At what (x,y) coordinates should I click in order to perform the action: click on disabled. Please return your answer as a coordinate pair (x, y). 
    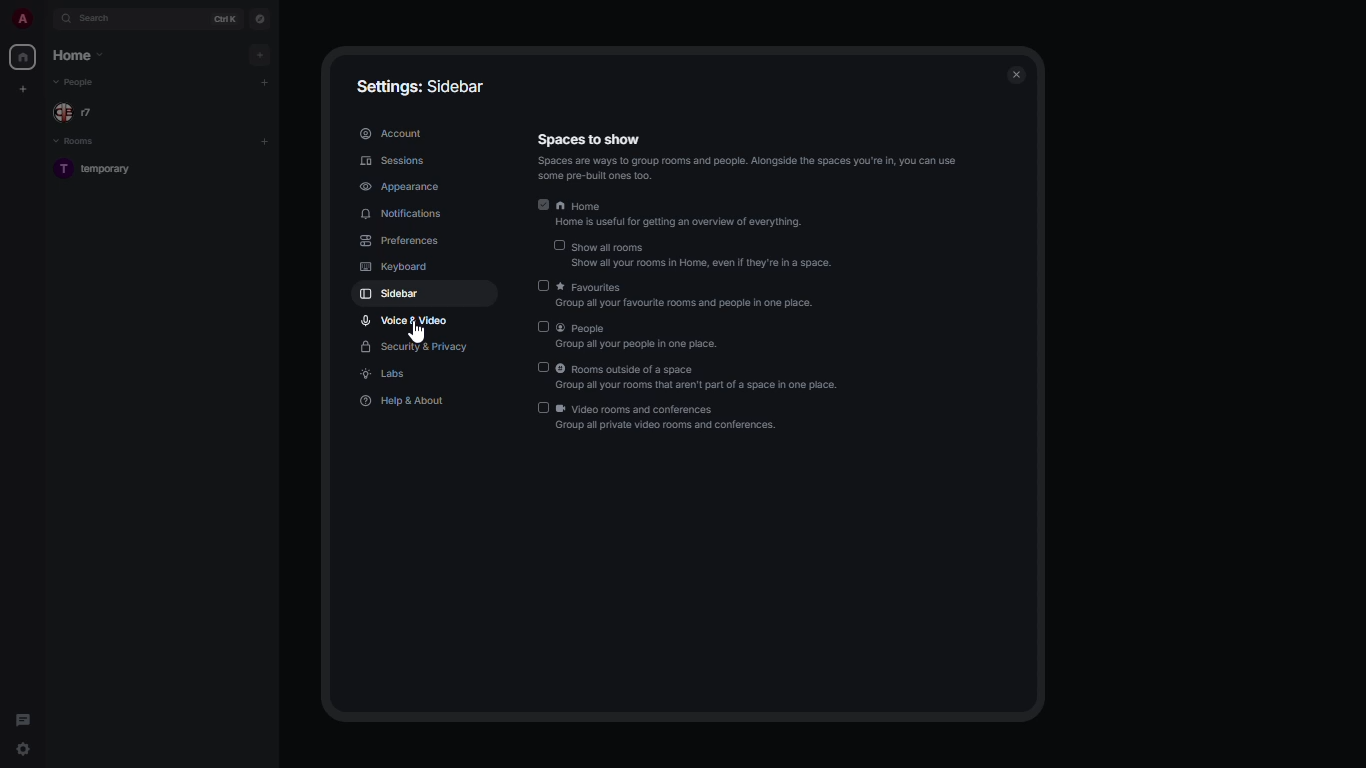
    Looking at the image, I should click on (542, 408).